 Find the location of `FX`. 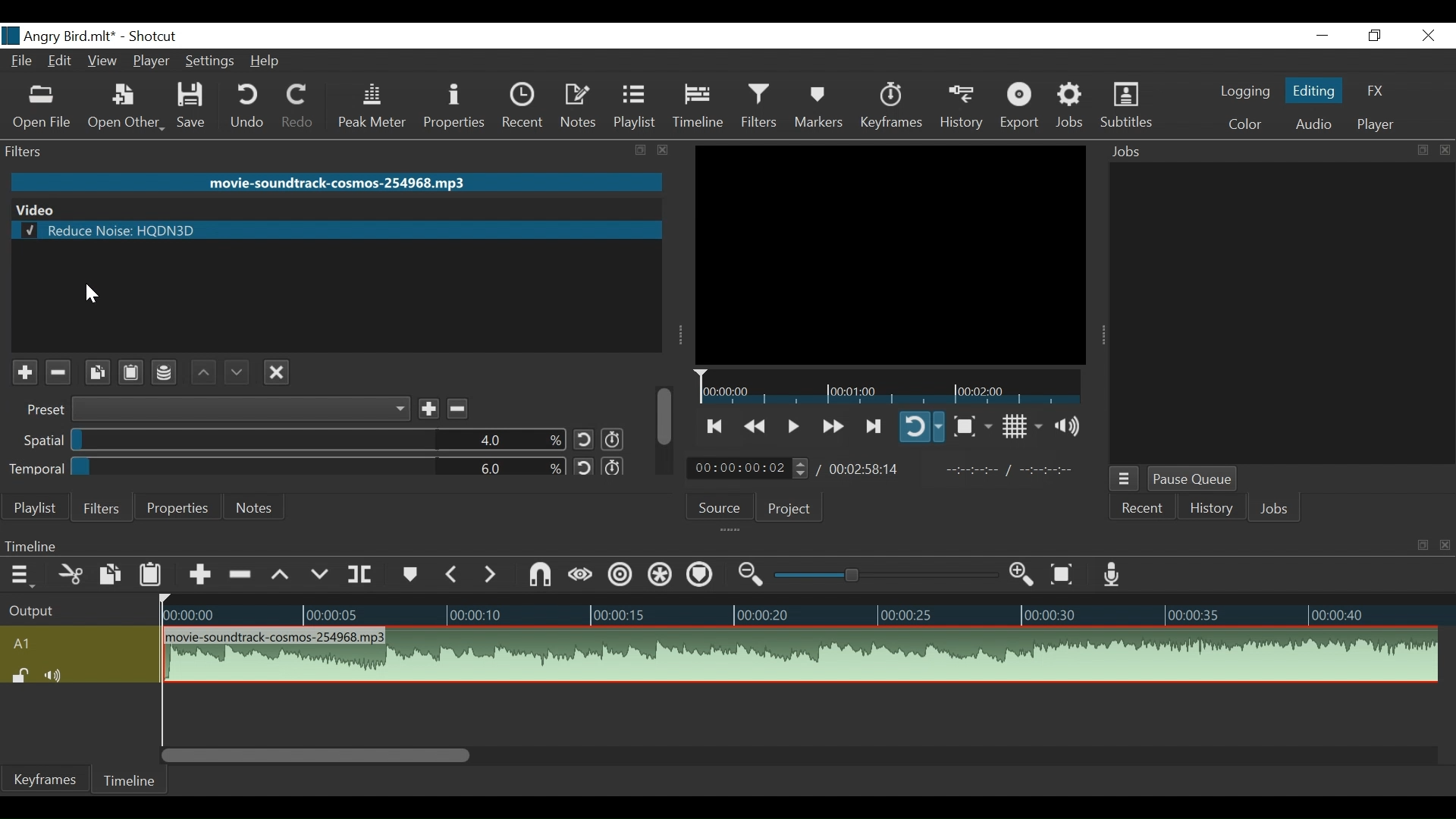

FX is located at coordinates (1373, 91).